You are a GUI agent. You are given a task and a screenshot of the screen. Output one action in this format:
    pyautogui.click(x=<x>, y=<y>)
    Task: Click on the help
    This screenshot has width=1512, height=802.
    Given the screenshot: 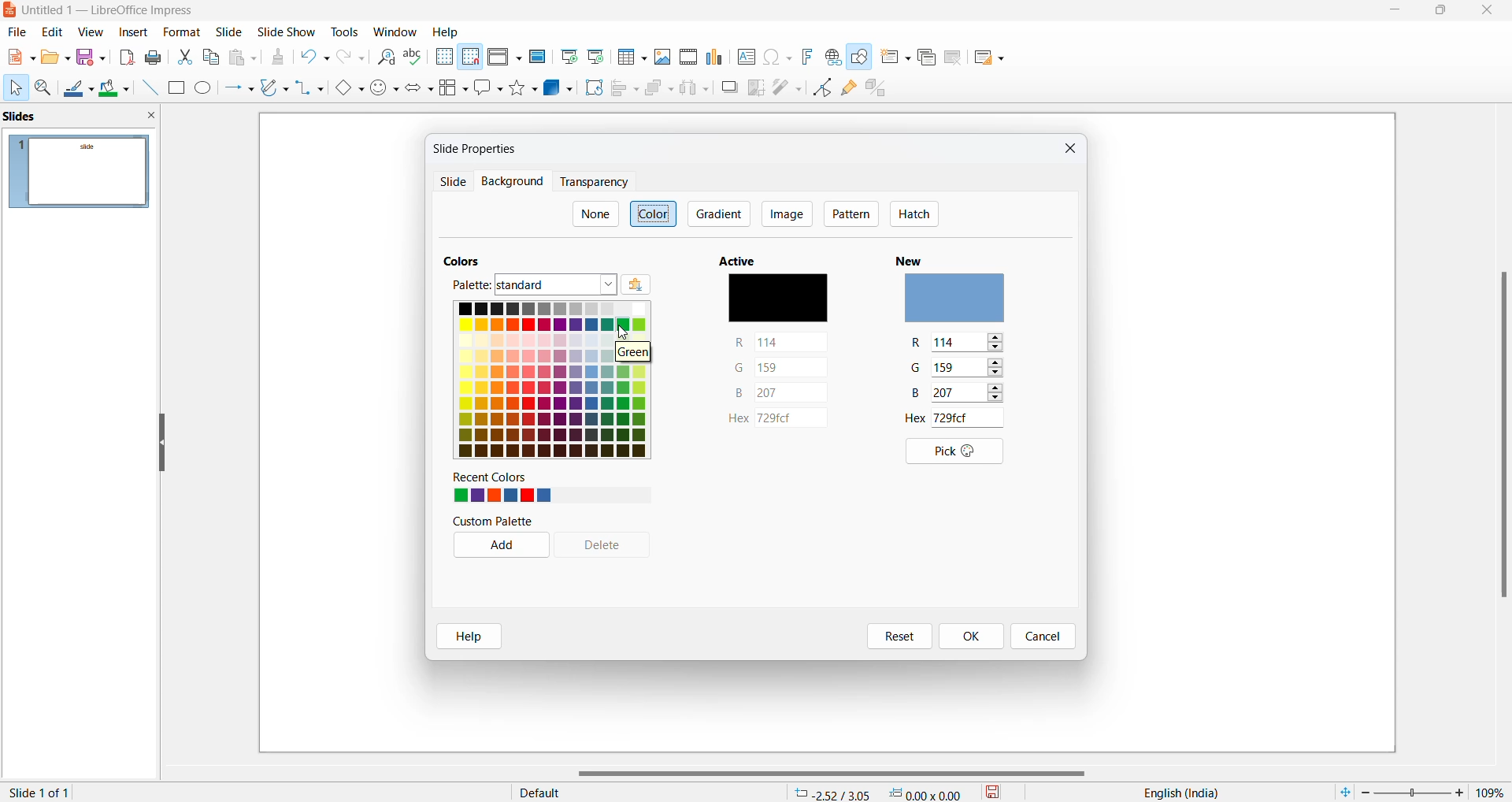 What is the action you would take?
    pyautogui.click(x=469, y=637)
    